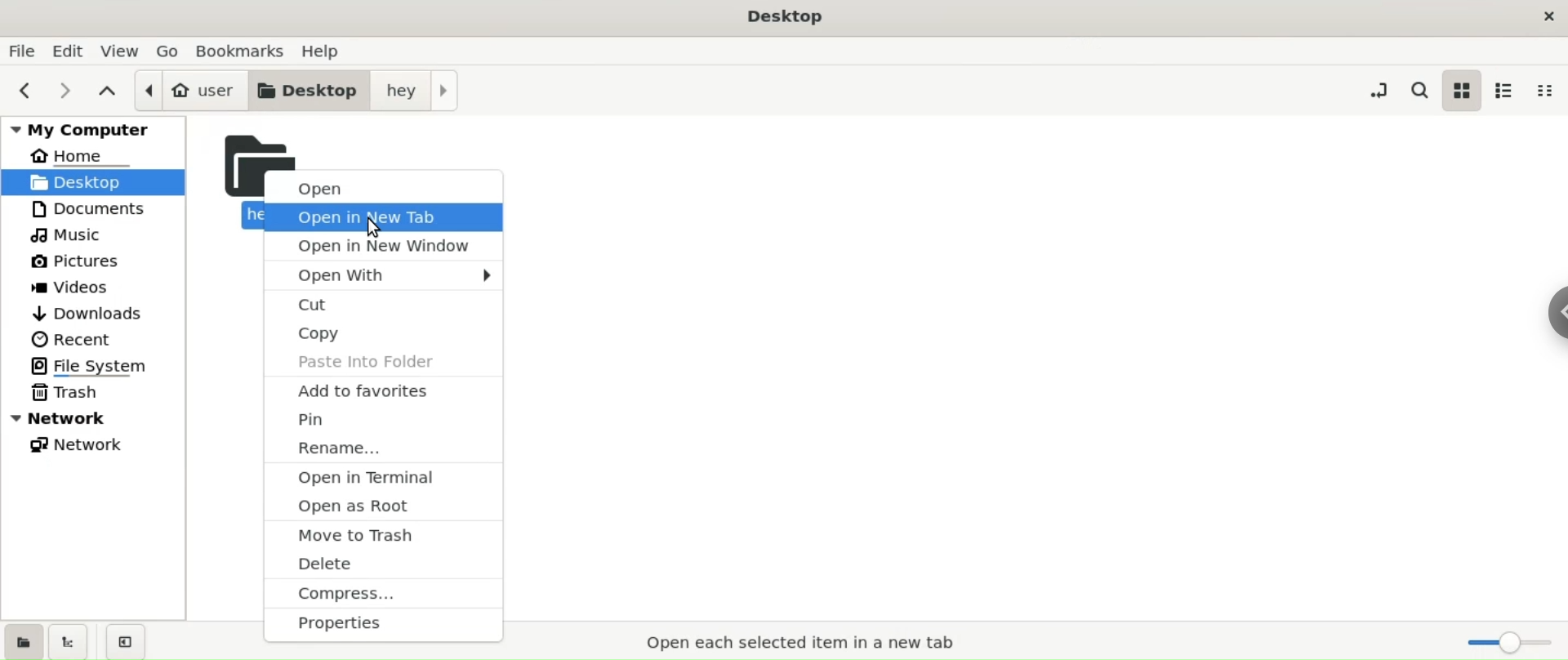 This screenshot has width=1568, height=660. Describe the element at coordinates (240, 51) in the screenshot. I see `bookmarks` at that location.